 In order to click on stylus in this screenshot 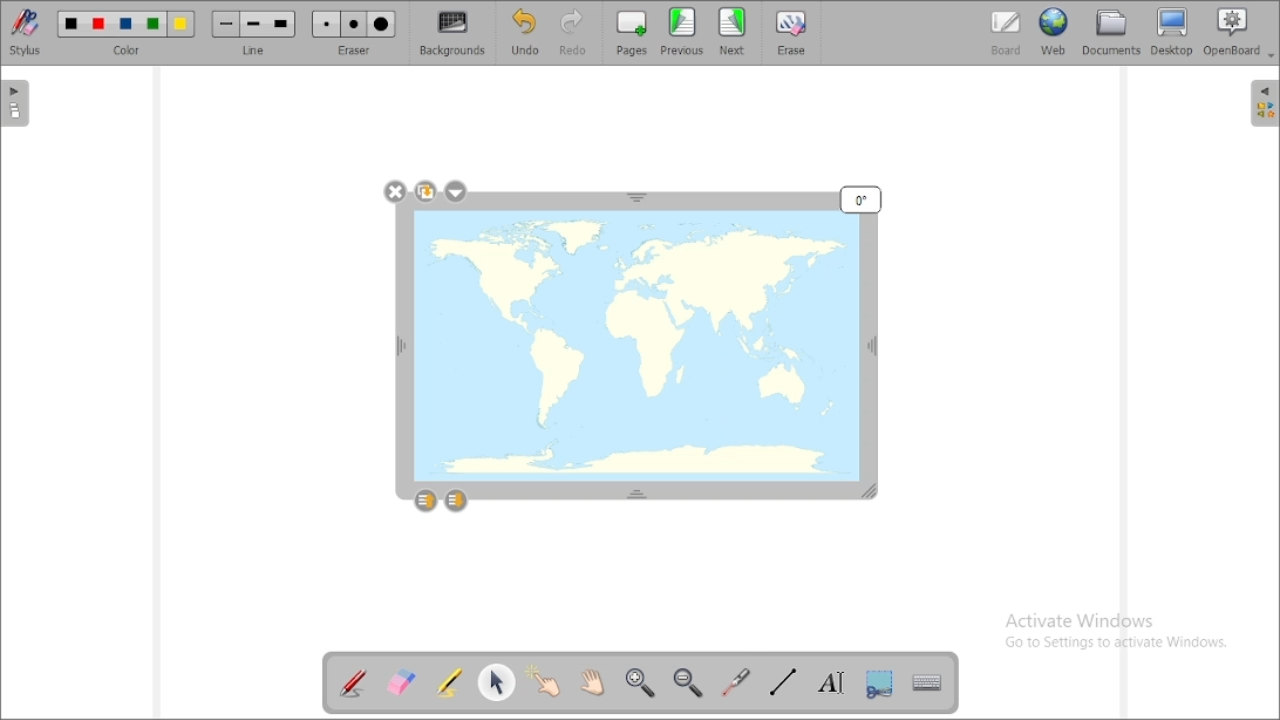, I will do `click(25, 32)`.